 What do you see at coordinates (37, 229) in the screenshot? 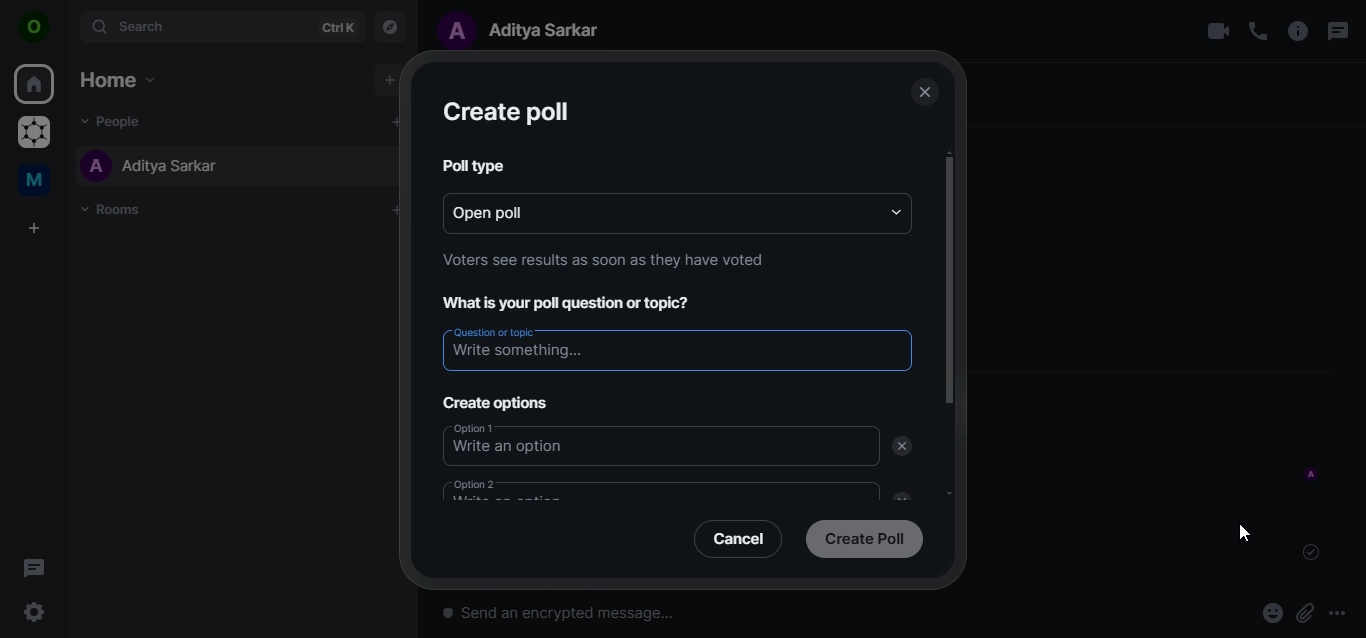
I see `create a space` at bounding box center [37, 229].